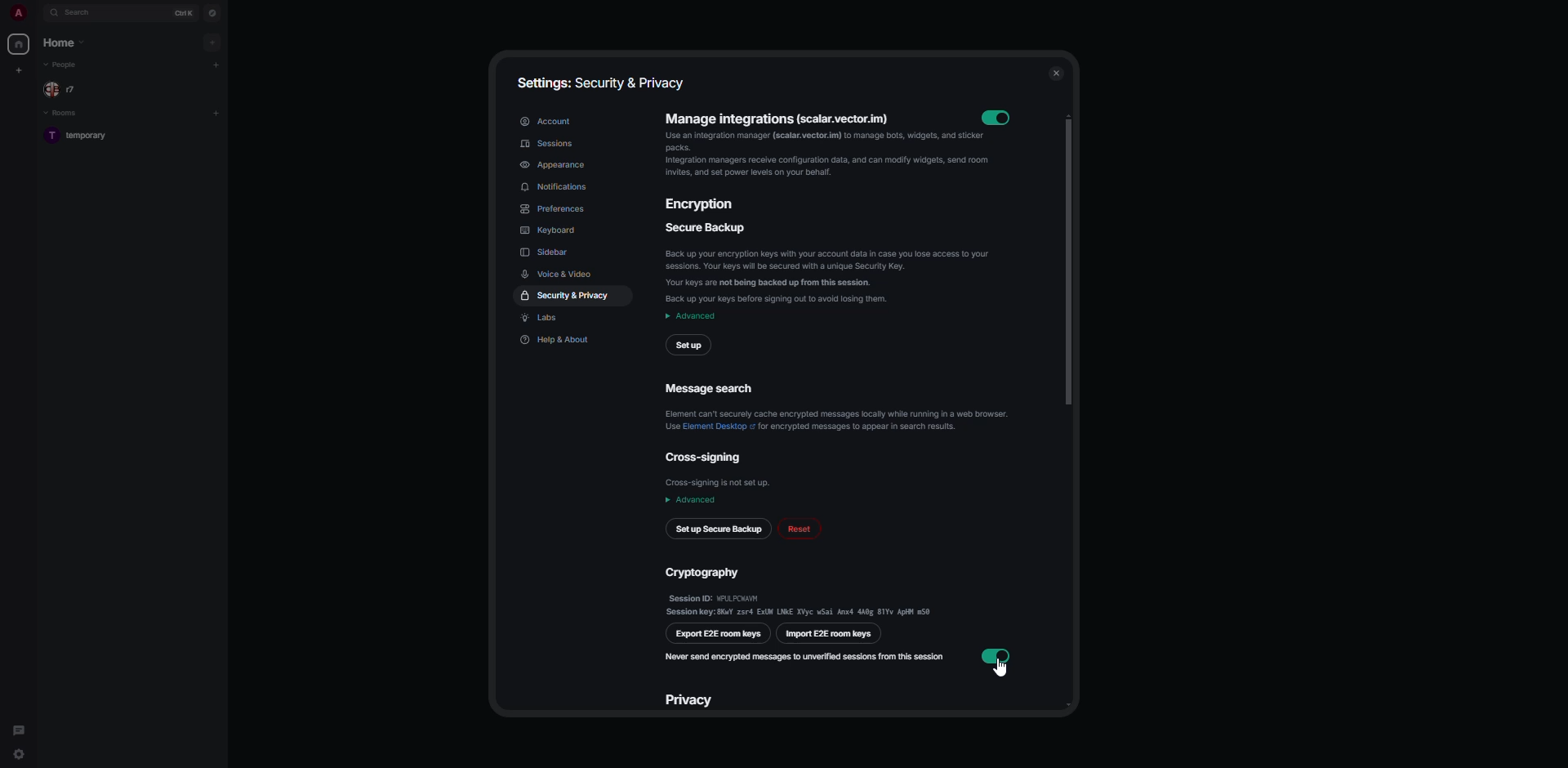 The image size is (1568, 768). What do you see at coordinates (704, 206) in the screenshot?
I see `encryption` at bounding box center [704, 206].